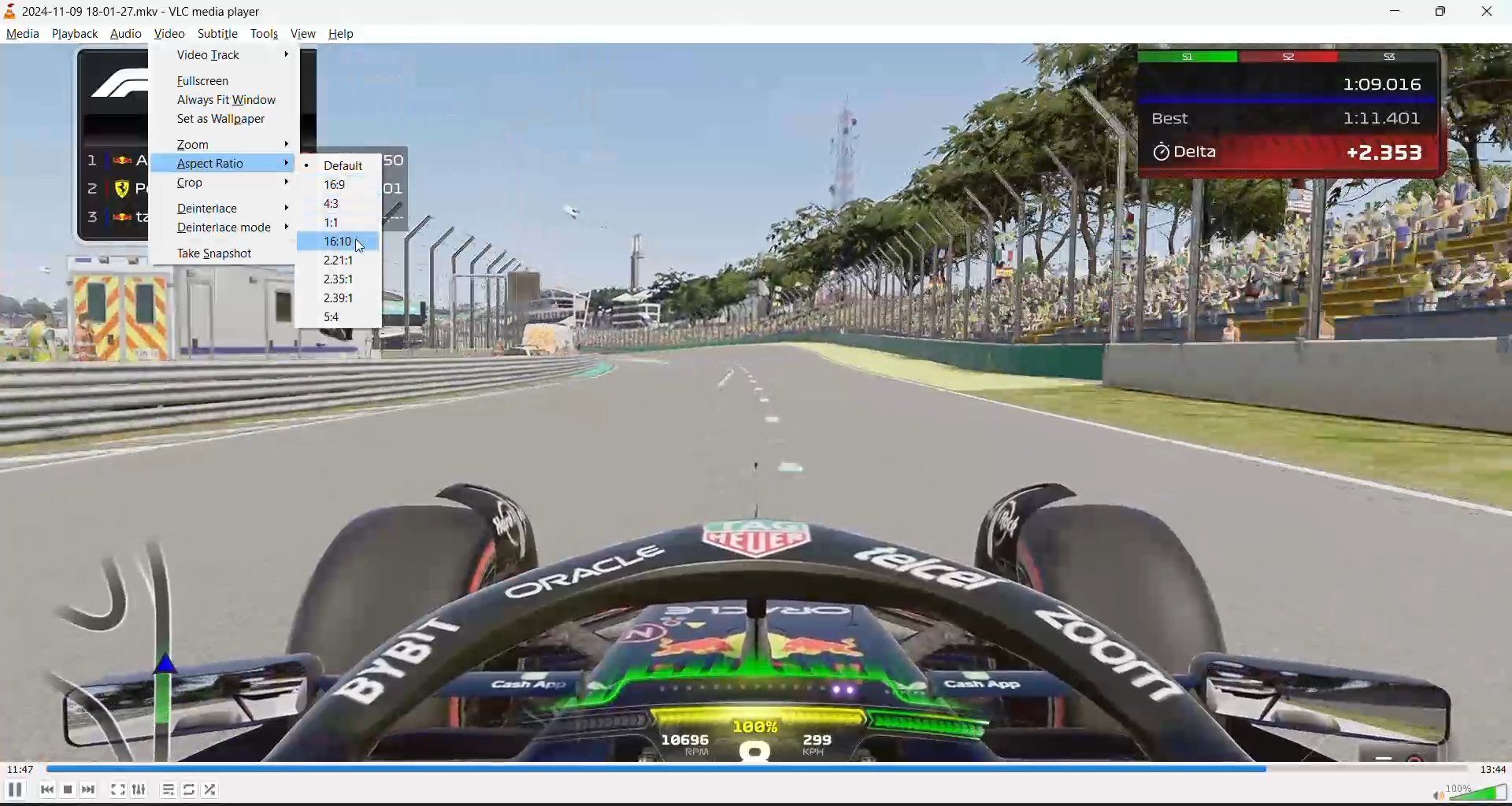 This screenshot has height=806, width=1512. I want to click on aspect ratio, so click(213, 163).